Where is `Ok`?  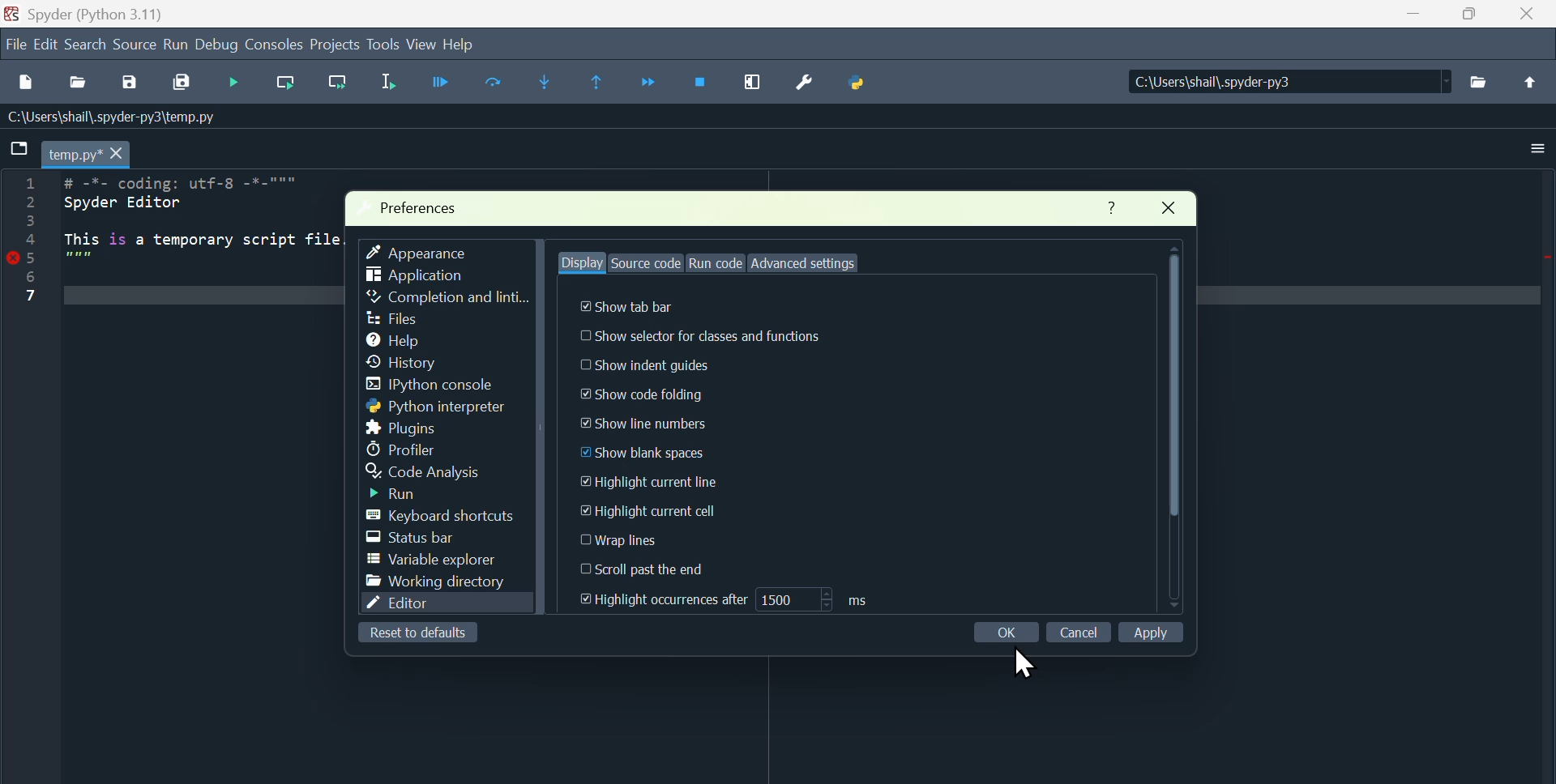 Ok is located at coordinates (1006, 635).